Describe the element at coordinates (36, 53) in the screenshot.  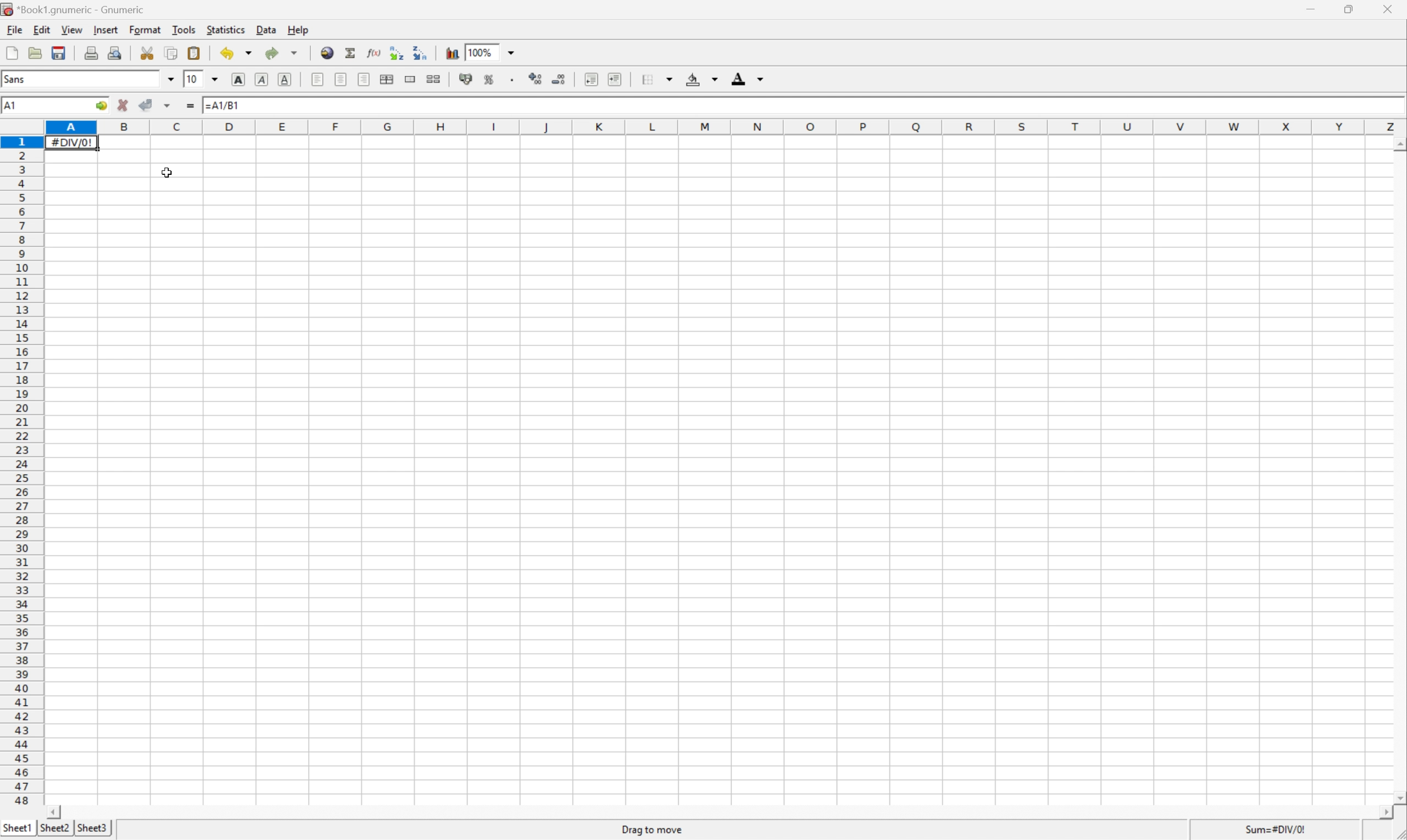
I see `open mobile file` at that location.